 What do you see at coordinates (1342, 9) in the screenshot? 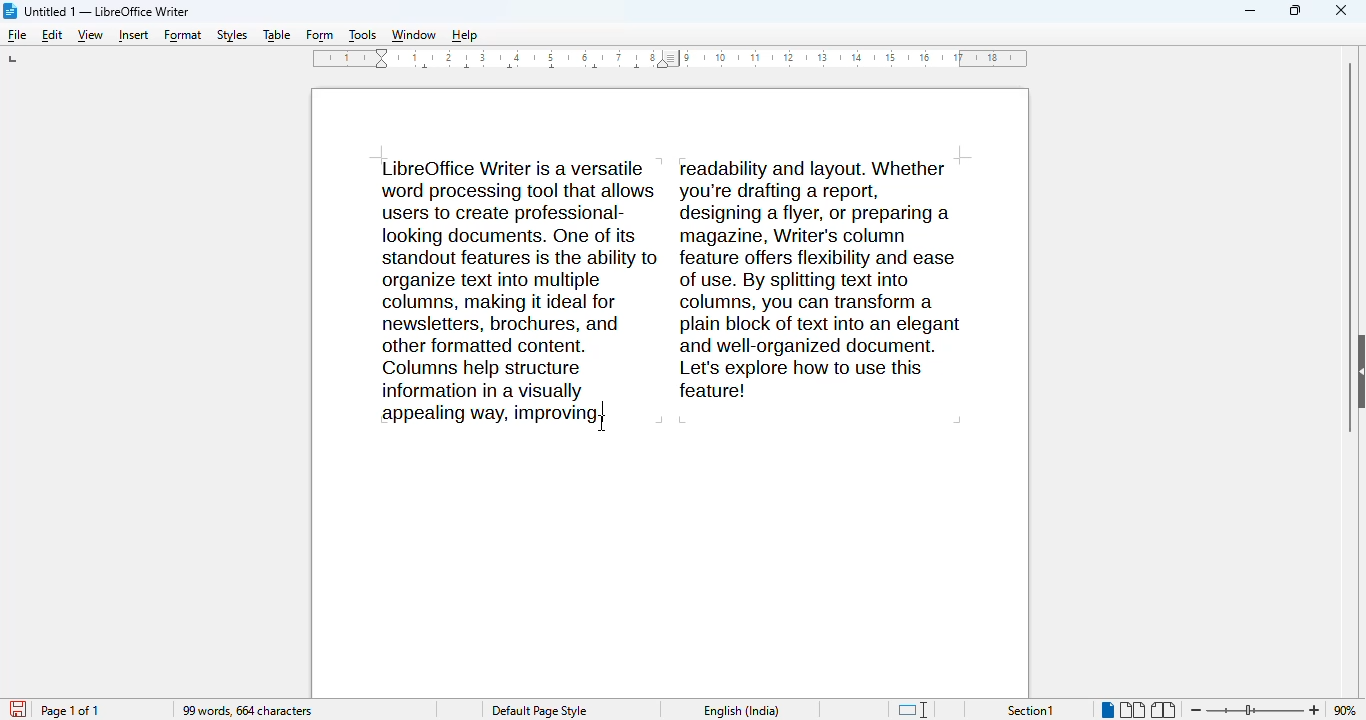
I see `close` at bounding box center [1342, 9].